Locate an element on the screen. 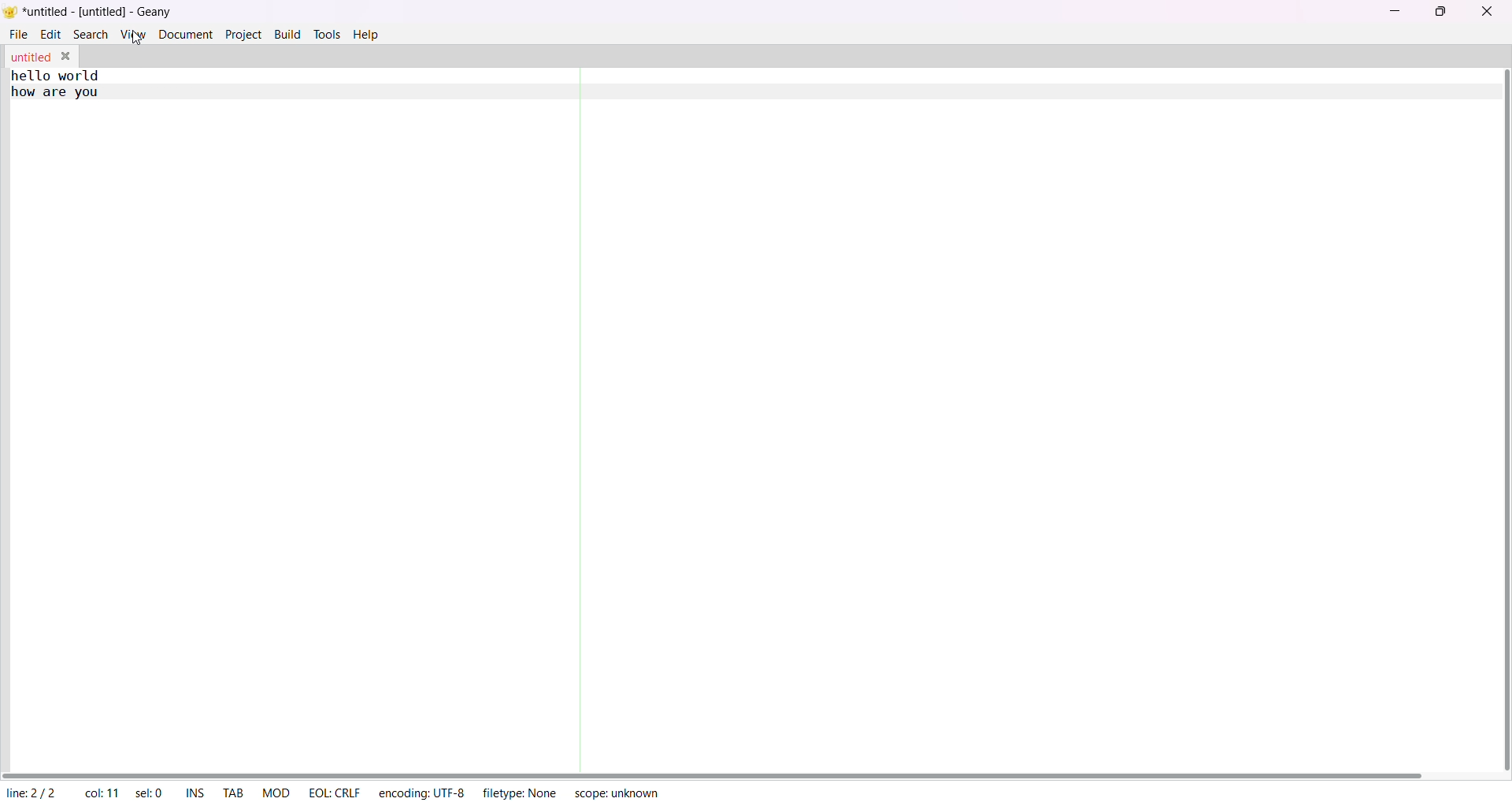 This screenshot has height=802, width=1512. title is located at coordinates (99, 12).